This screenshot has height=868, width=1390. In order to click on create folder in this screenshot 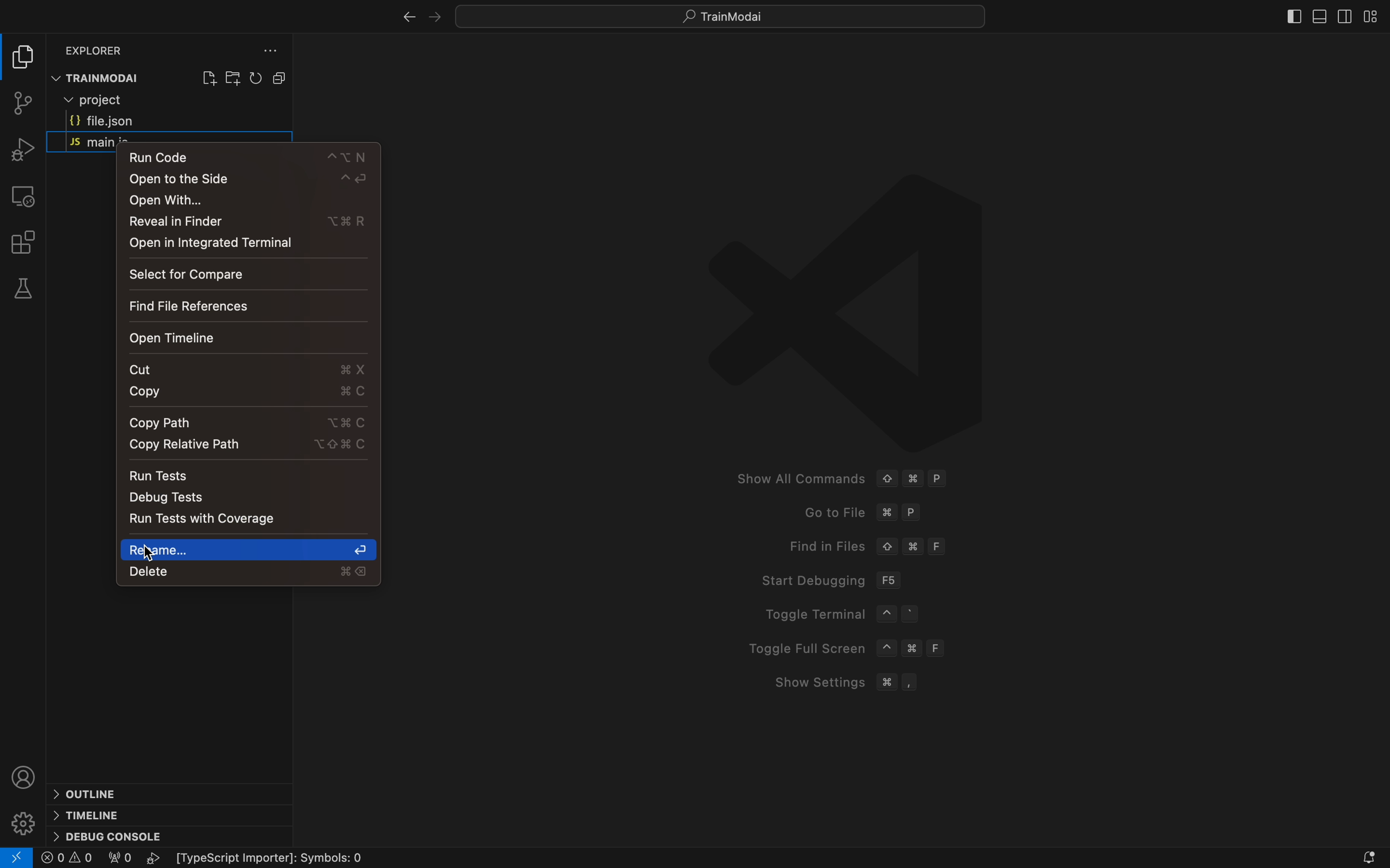, I will do `click(234, 78)`.